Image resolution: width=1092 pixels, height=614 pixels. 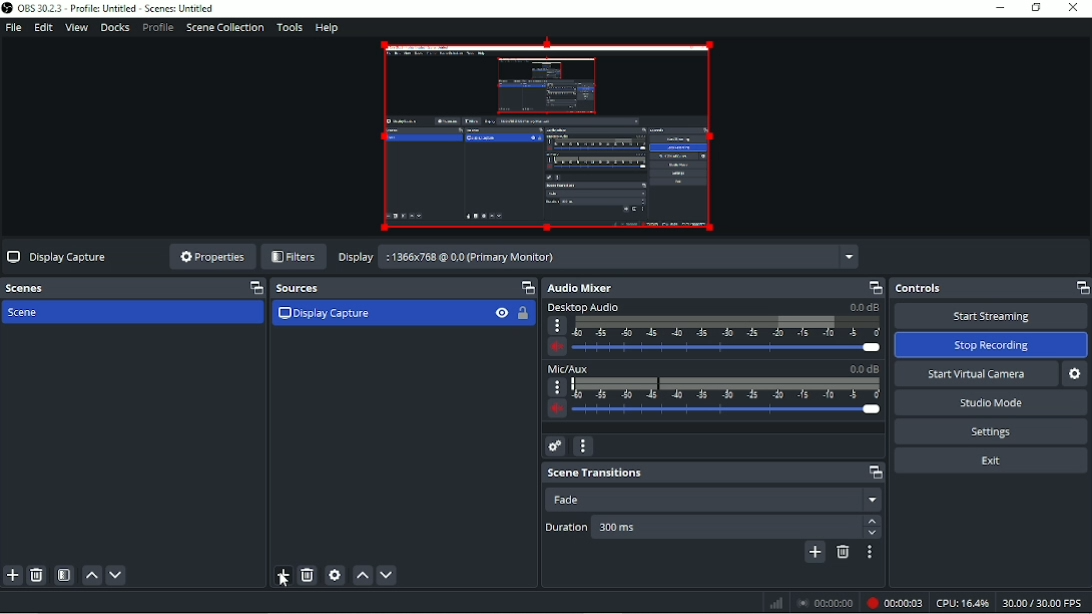 What do you see at coordinates (386, 575) in the screenshot?
I see `Move source (s) down ` at bounding box center [386, 575].